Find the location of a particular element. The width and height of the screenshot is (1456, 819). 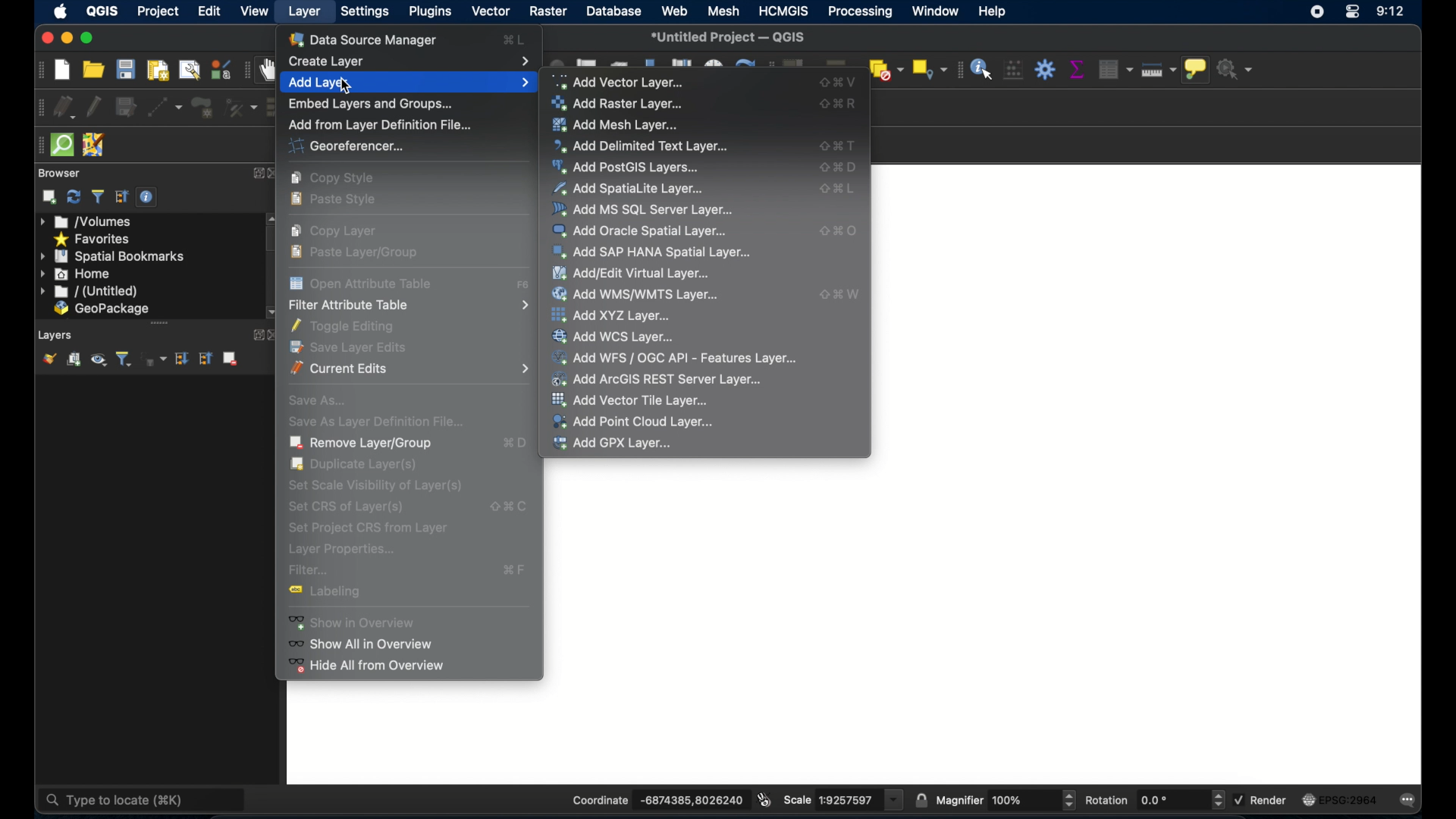

map navigation toolbar is located at coordinates (245, 72).